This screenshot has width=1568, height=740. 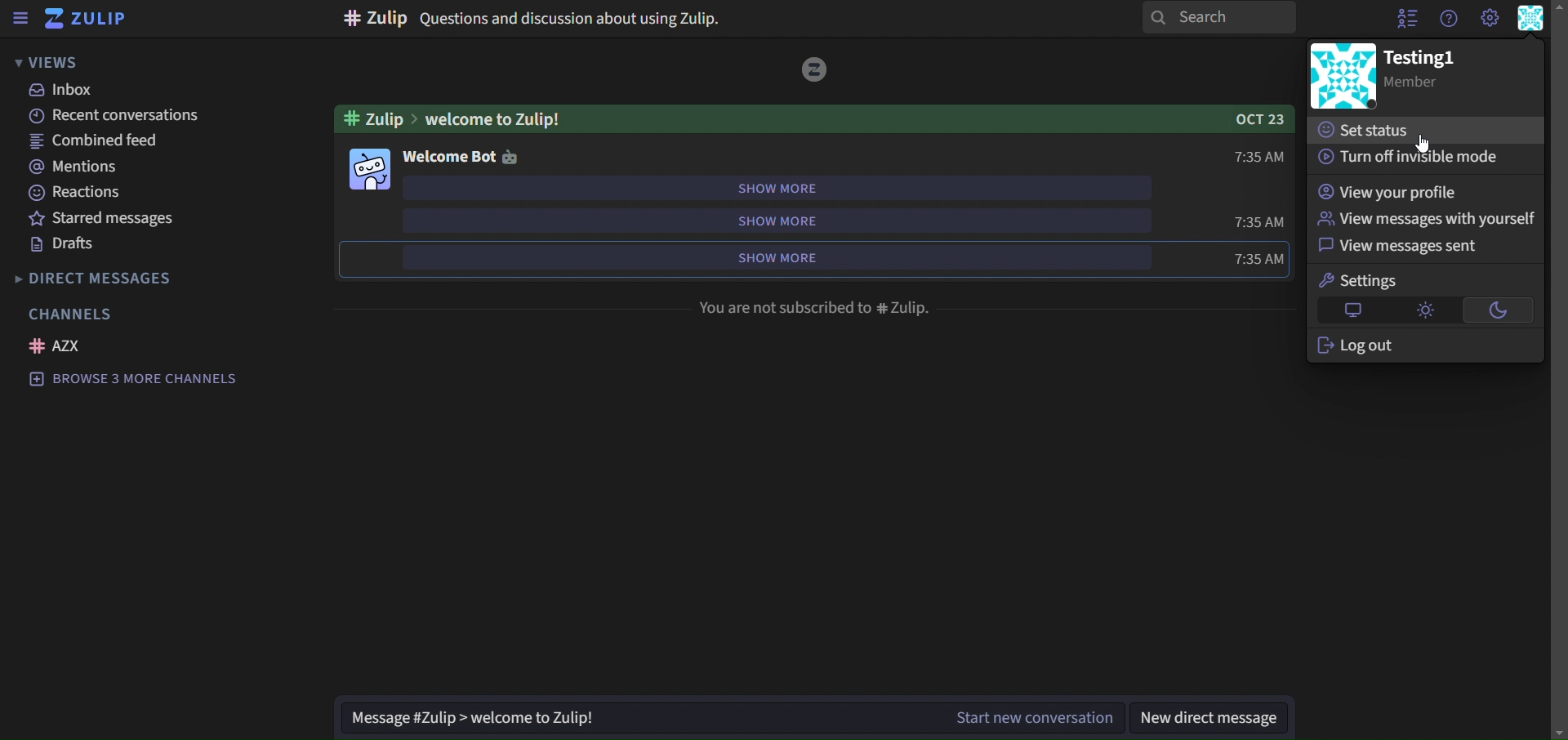 I want to click on Cursor, so click(x=1428, y=142).